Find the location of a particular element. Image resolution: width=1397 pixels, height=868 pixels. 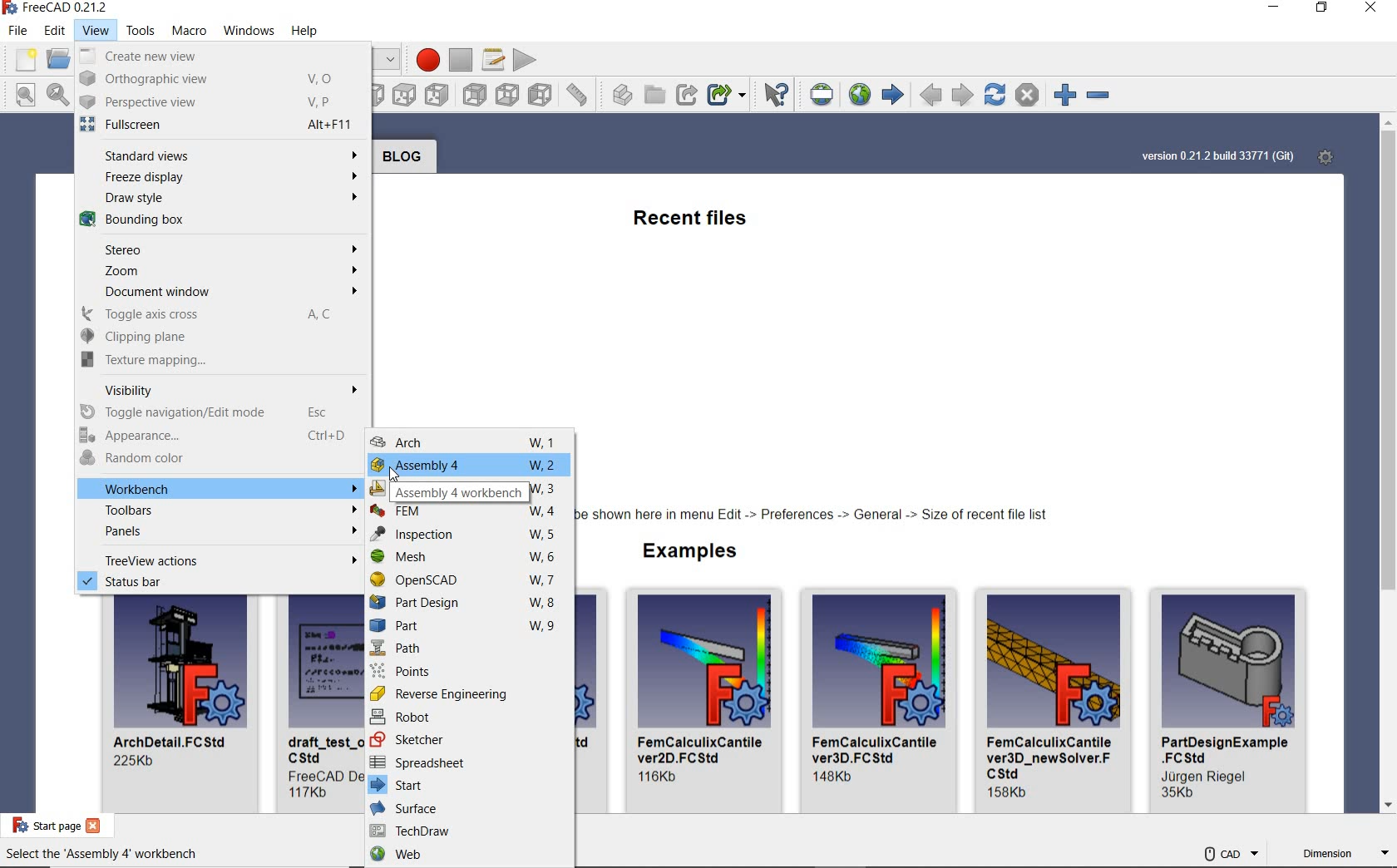

system version info is located at coordinates (1217, 156).